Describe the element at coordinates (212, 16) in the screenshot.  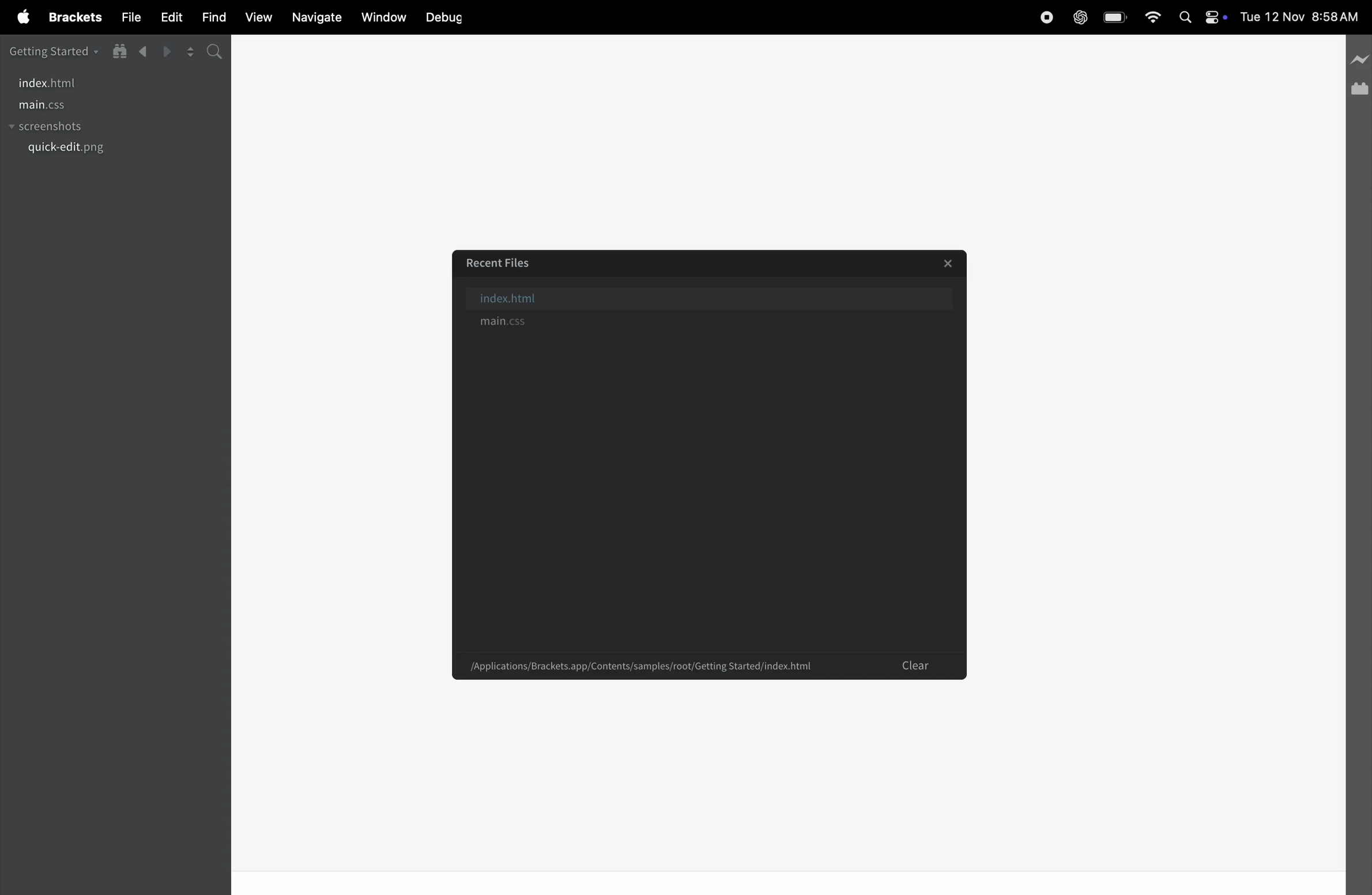
I see `find` at that location.